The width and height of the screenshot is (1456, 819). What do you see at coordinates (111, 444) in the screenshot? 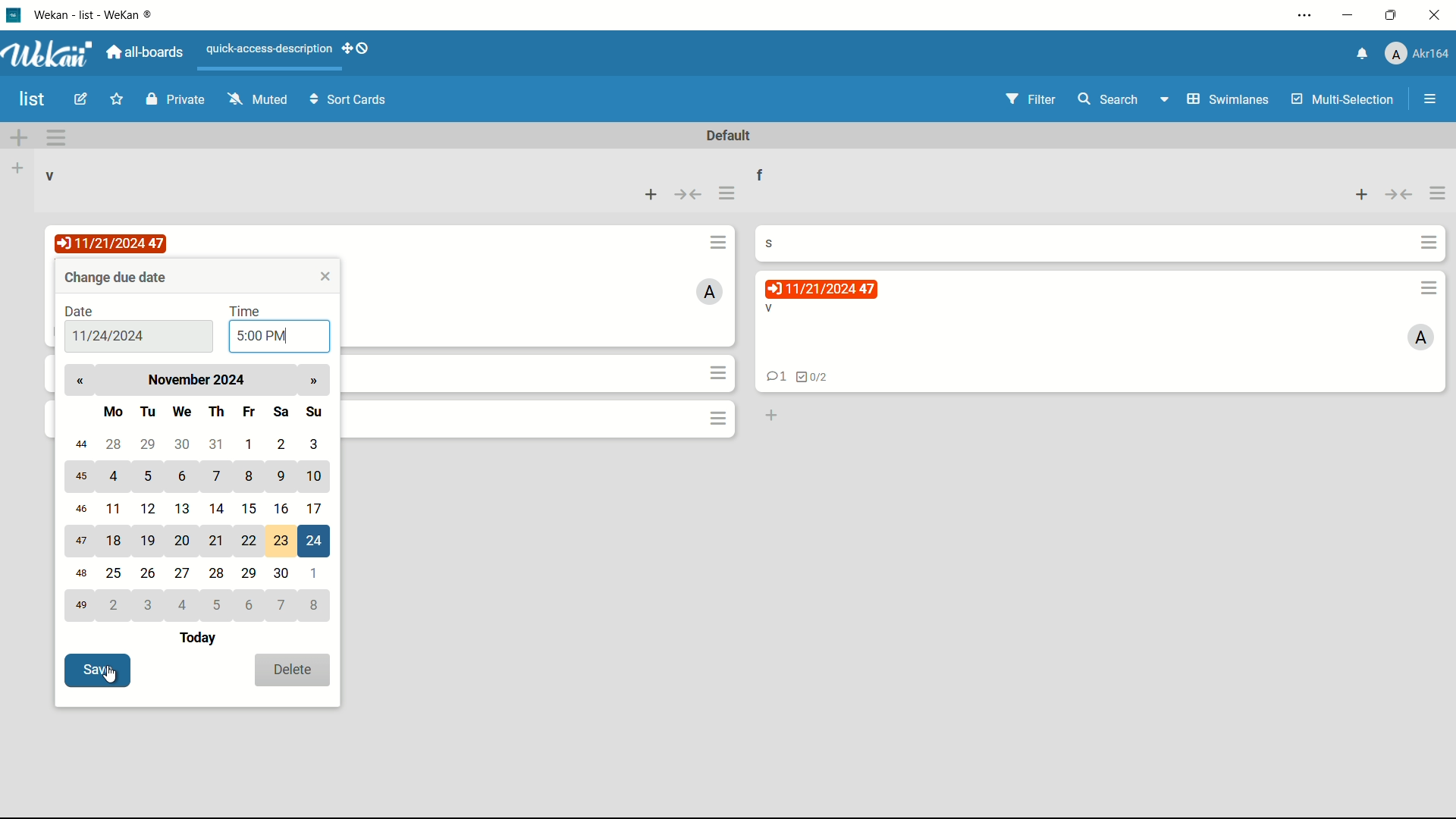
I see `28` at bounding box center [111, 444].